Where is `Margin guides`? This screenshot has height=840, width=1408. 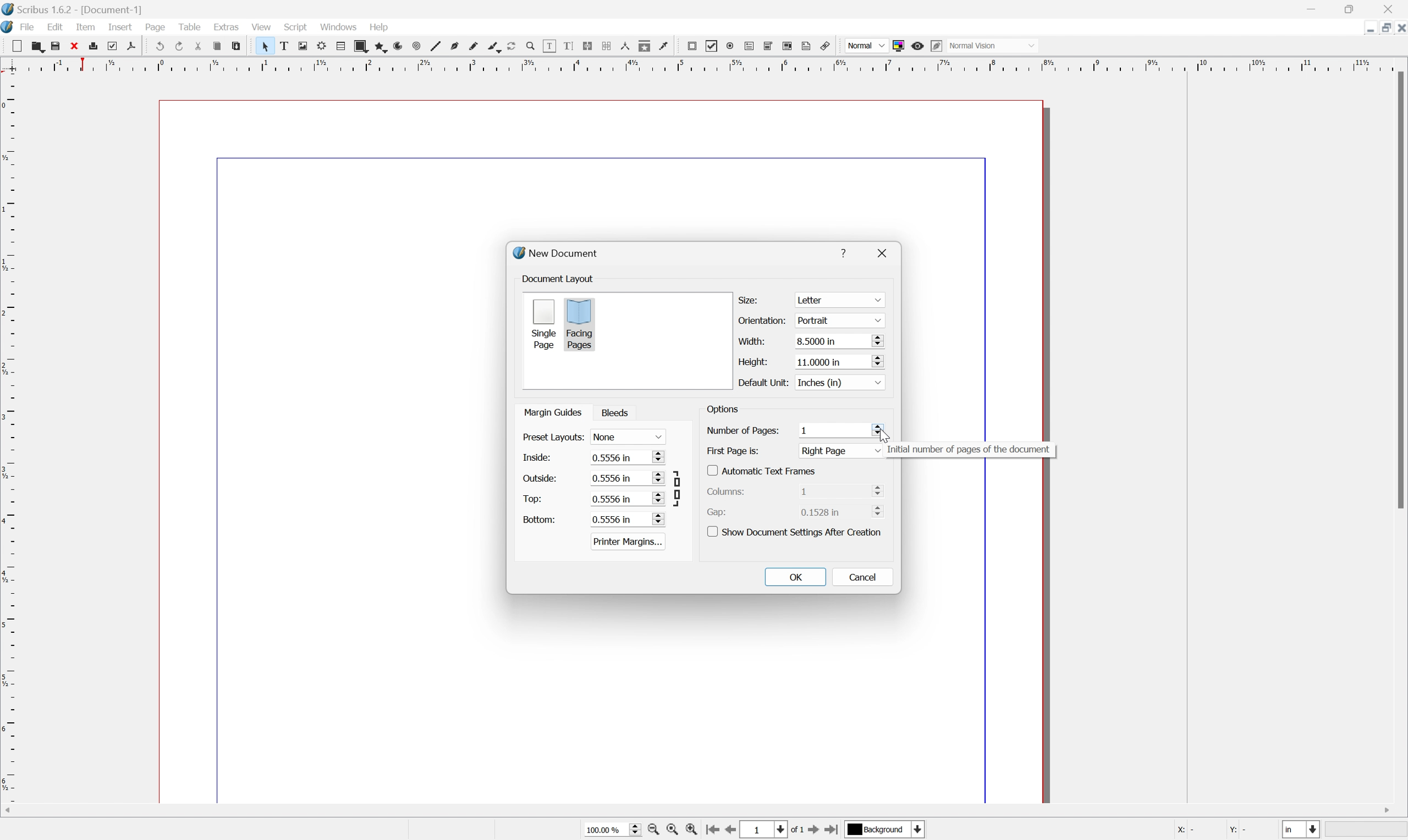 Margin guides is located at coordinates (551, 412).